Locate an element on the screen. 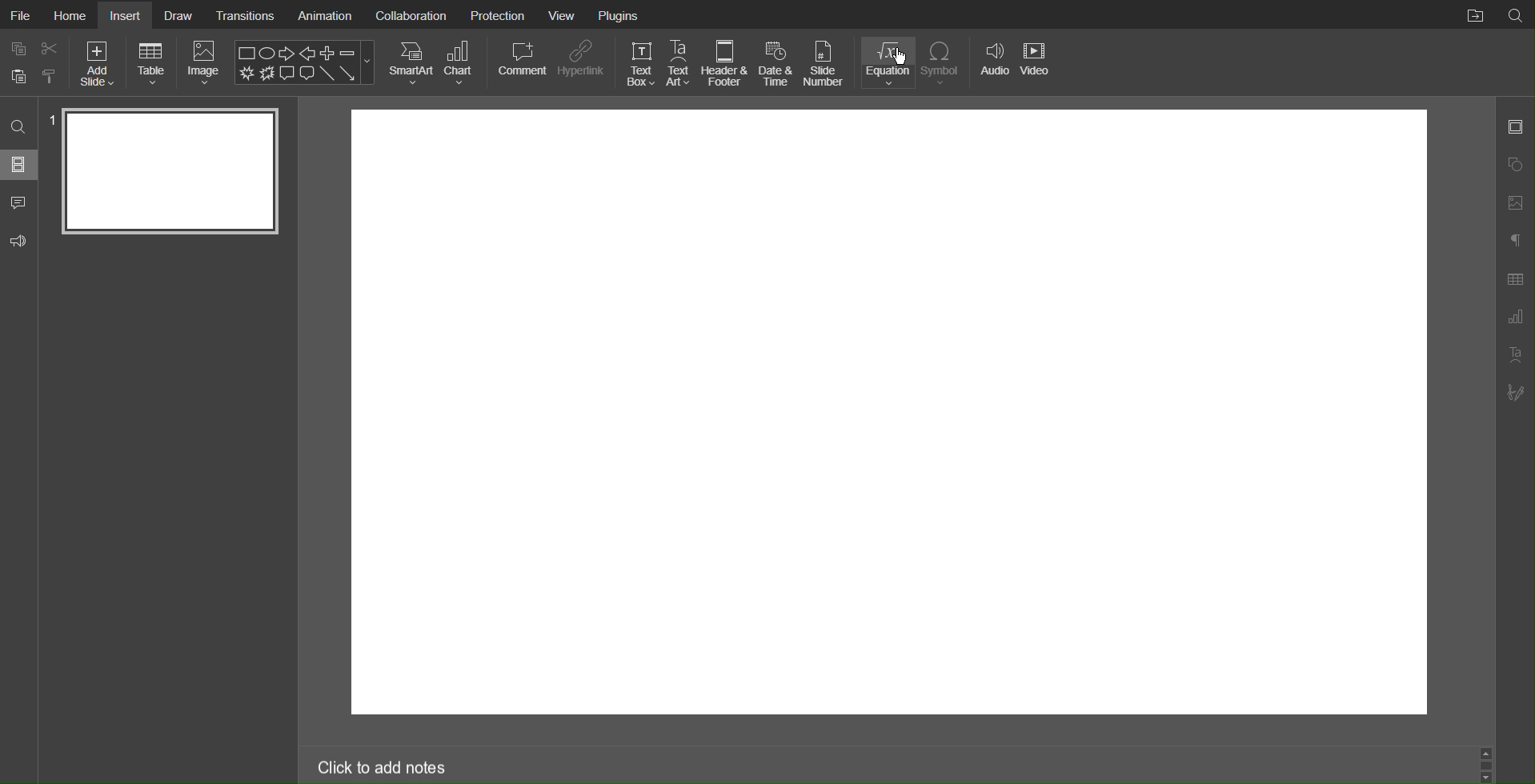  Comment is located at coordinates (520, 62).